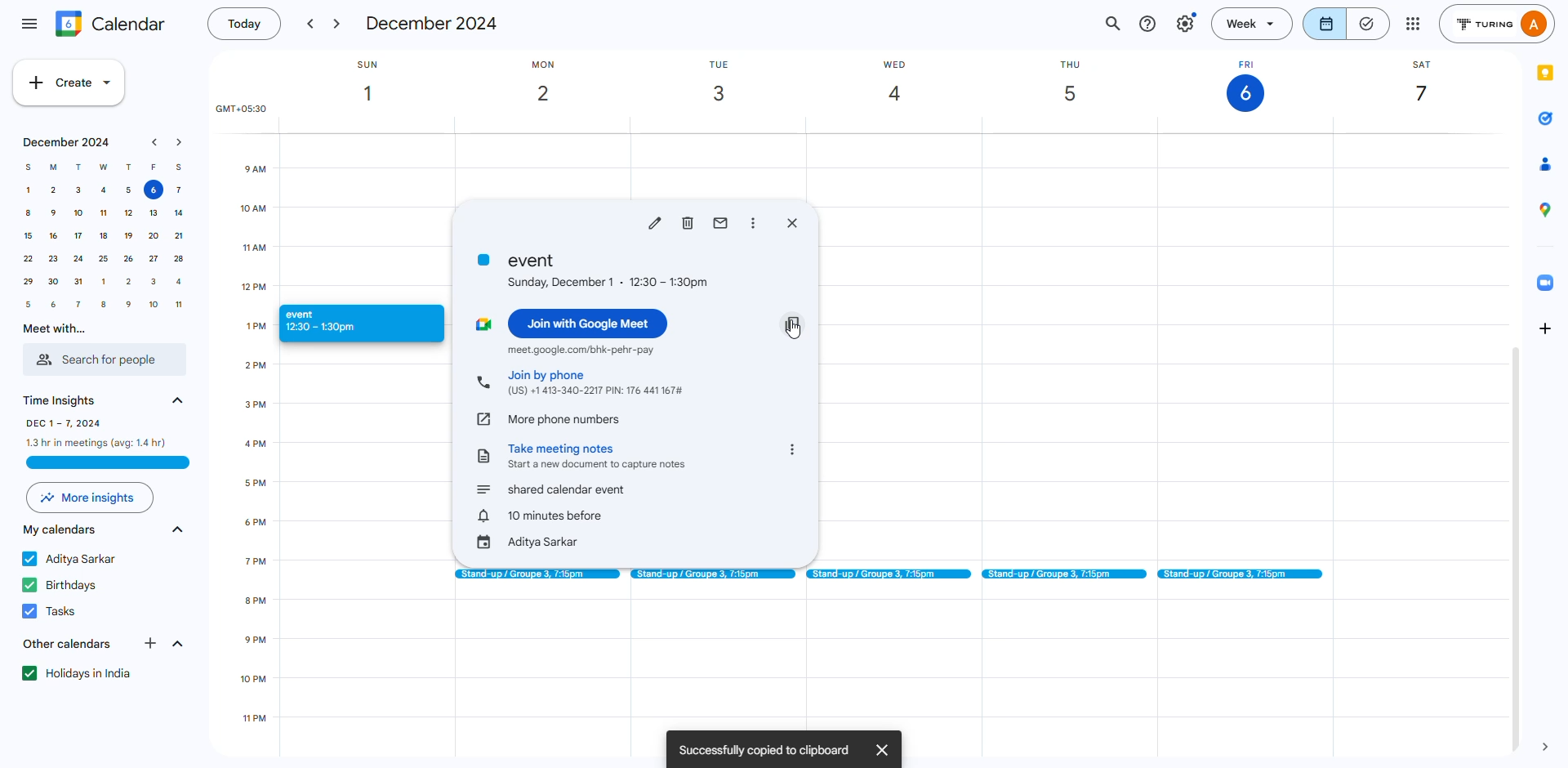 The image size is (1568, 768). Describe the element at coordinates (54, 168) in the screenshot. I see `M` at that location.